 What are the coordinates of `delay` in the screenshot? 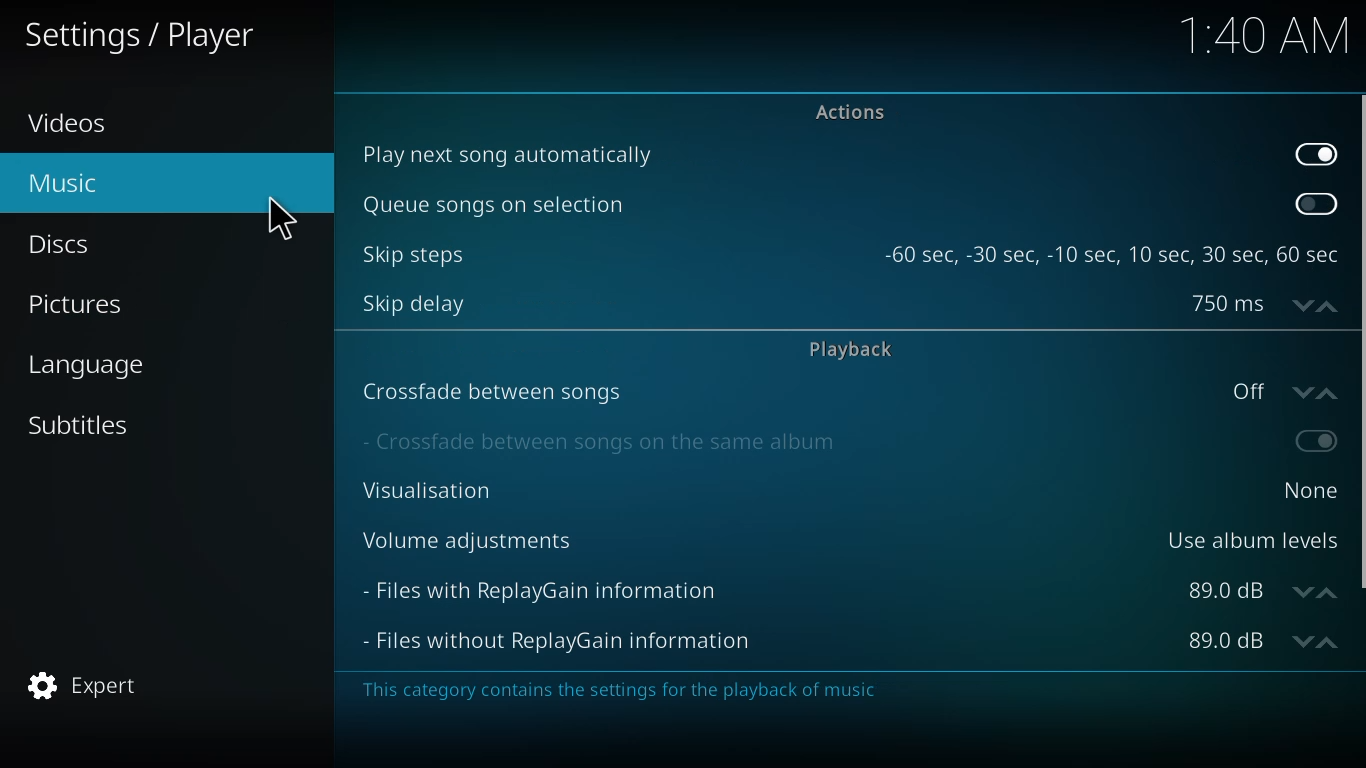 It's located at (1255, 303).